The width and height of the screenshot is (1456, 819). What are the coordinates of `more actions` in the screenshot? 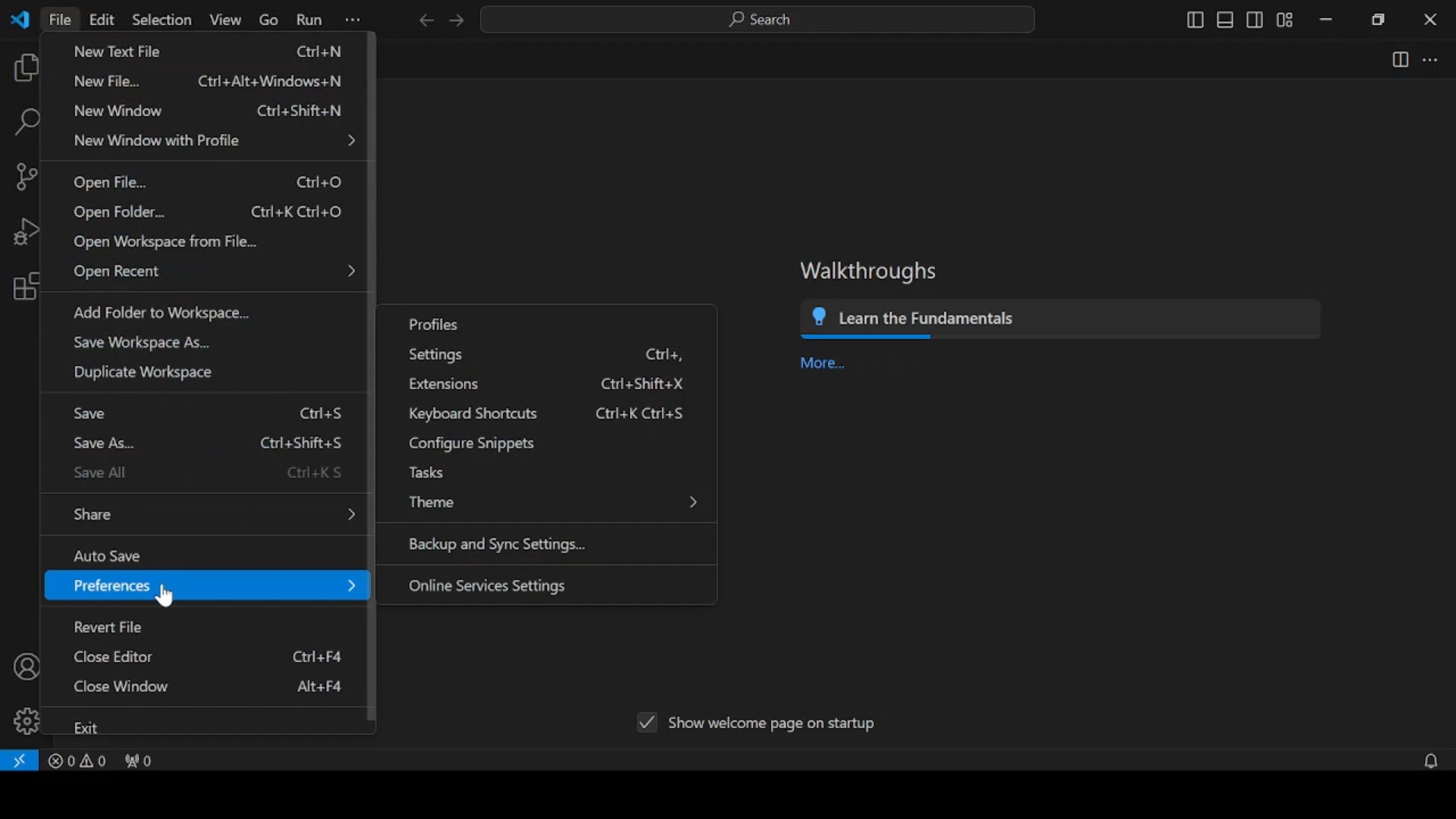 It's located at (1430, 60).